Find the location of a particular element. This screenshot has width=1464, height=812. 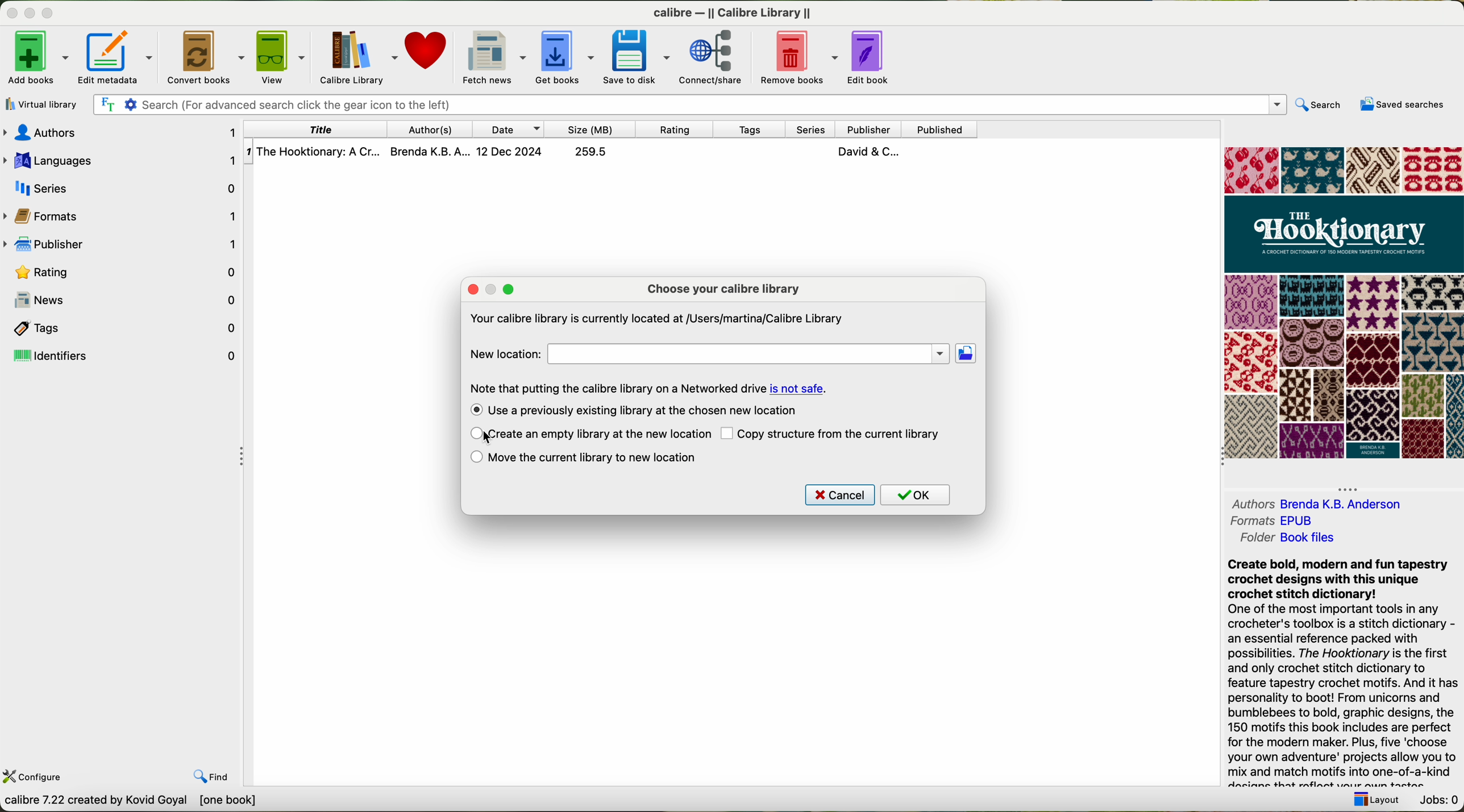

calibre — || Calibre Library || is located at coordinates (731, 11).